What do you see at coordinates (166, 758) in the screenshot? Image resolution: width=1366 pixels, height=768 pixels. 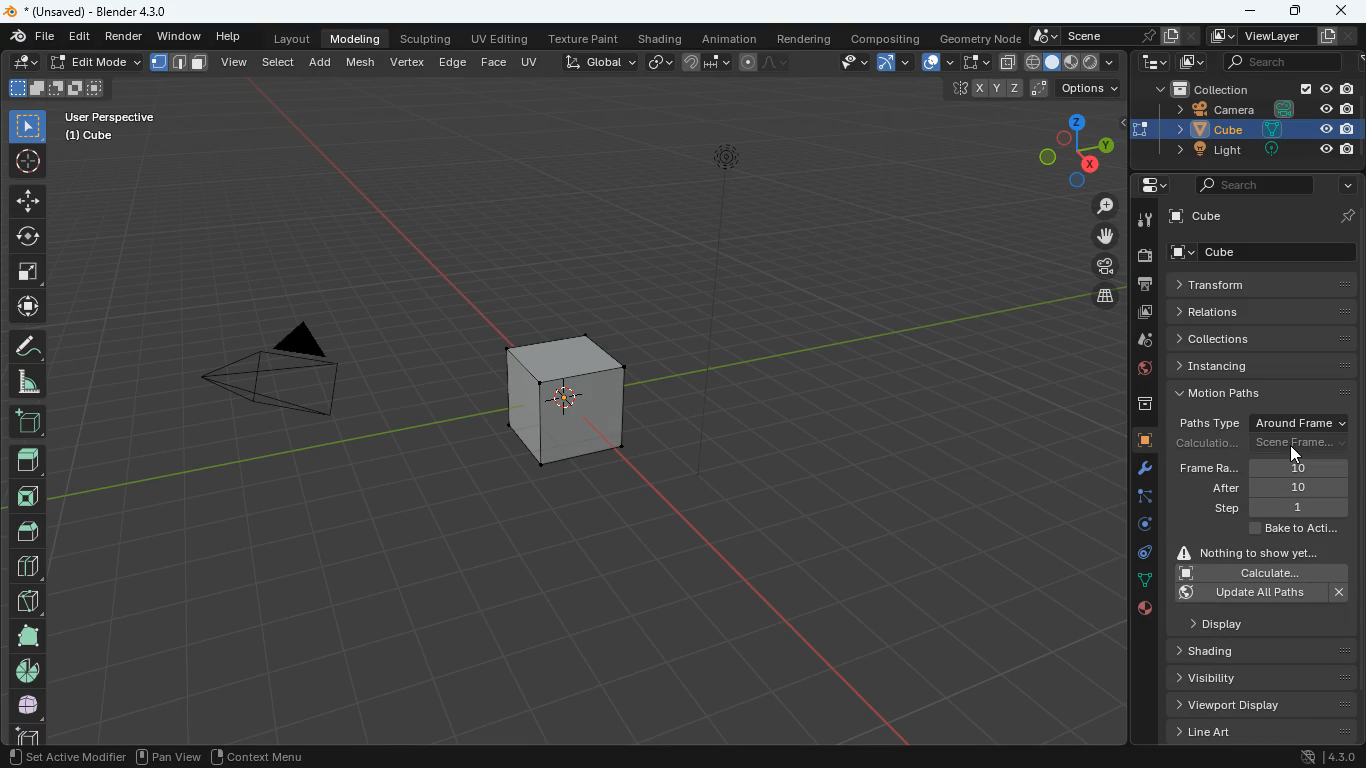 I see `pan view` at bounding box center [166, 758].